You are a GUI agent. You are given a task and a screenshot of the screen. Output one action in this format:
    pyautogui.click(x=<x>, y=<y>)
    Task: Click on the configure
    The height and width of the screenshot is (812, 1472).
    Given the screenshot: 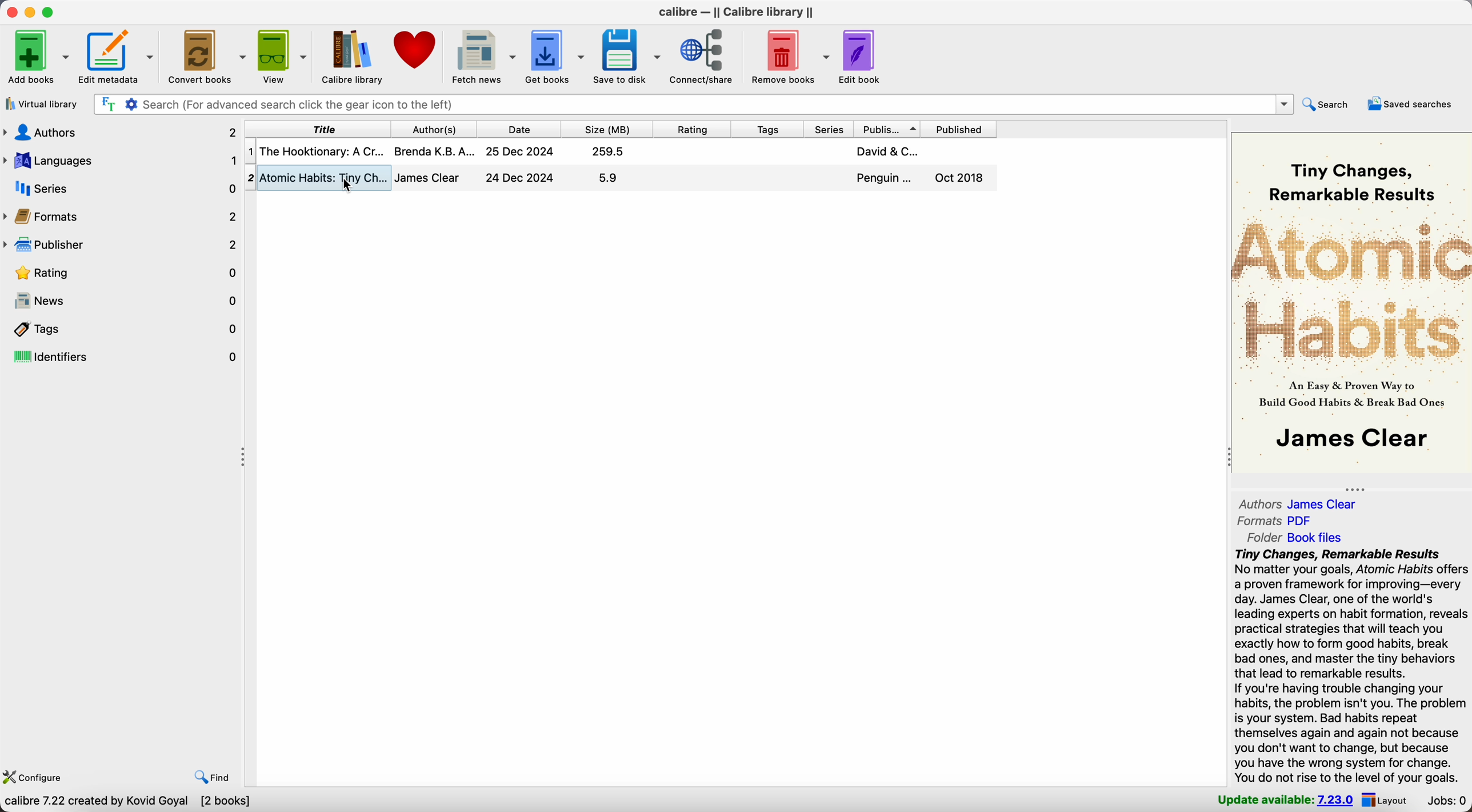 What is the action you would take?
    pyautogui.click(x=37, y=776)
    